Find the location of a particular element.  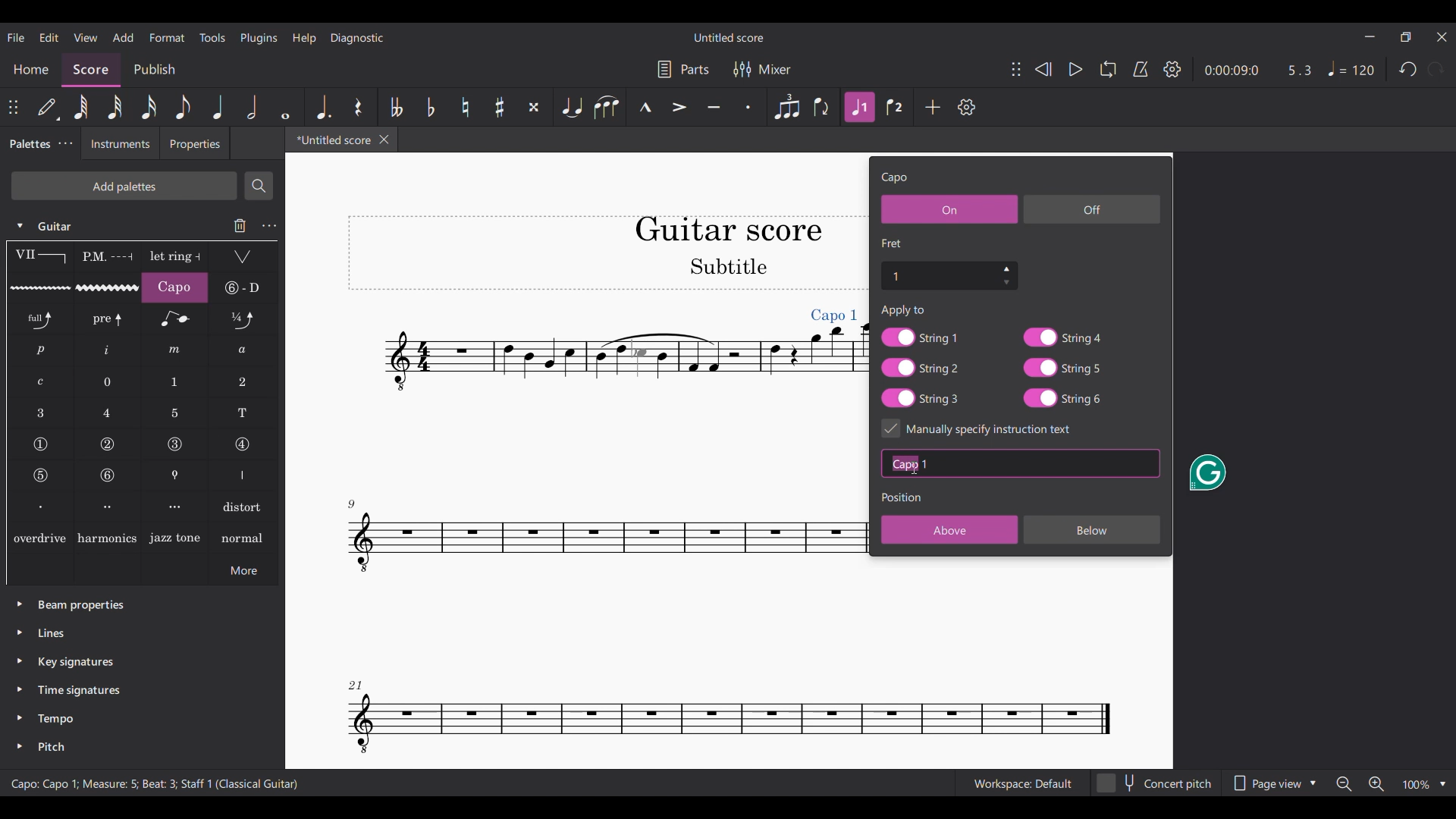

Add is located at coordinates (933, 106).